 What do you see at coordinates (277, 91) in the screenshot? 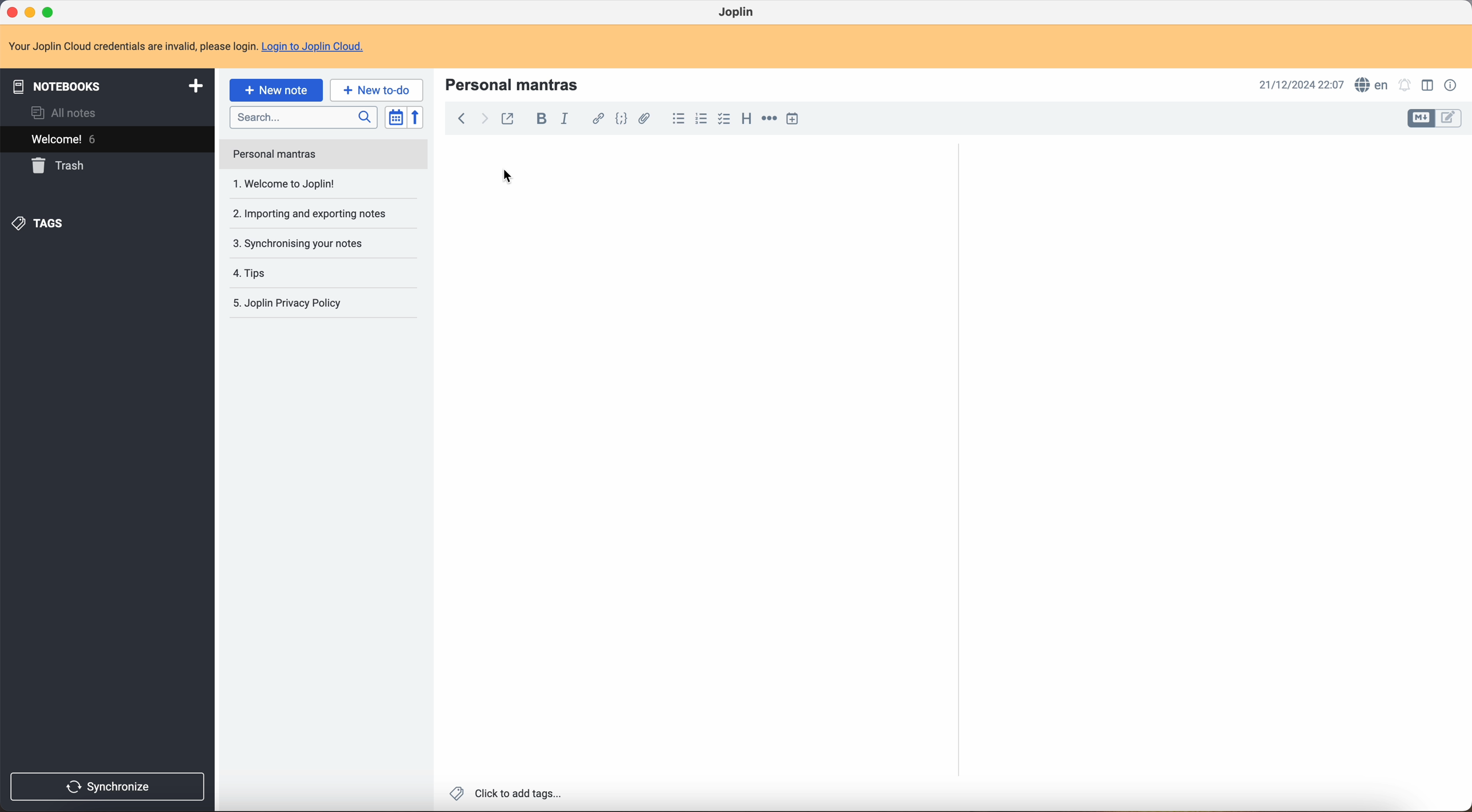
I see `click on new note` at bounding box center [277, 91].